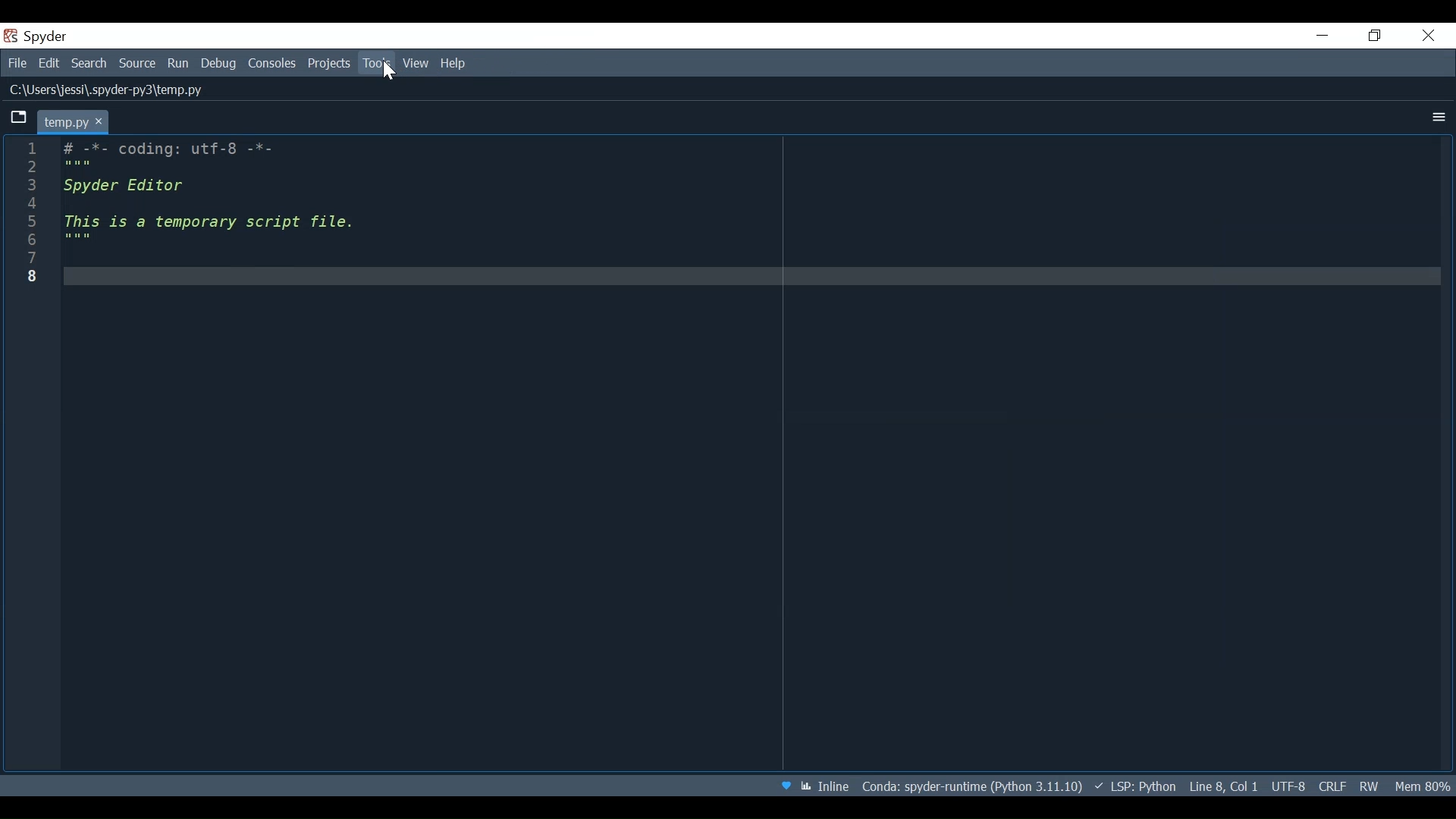 The height and width of the screenshot is (819, 1456). I want to click on Memory Usage, so click(1421, 786).